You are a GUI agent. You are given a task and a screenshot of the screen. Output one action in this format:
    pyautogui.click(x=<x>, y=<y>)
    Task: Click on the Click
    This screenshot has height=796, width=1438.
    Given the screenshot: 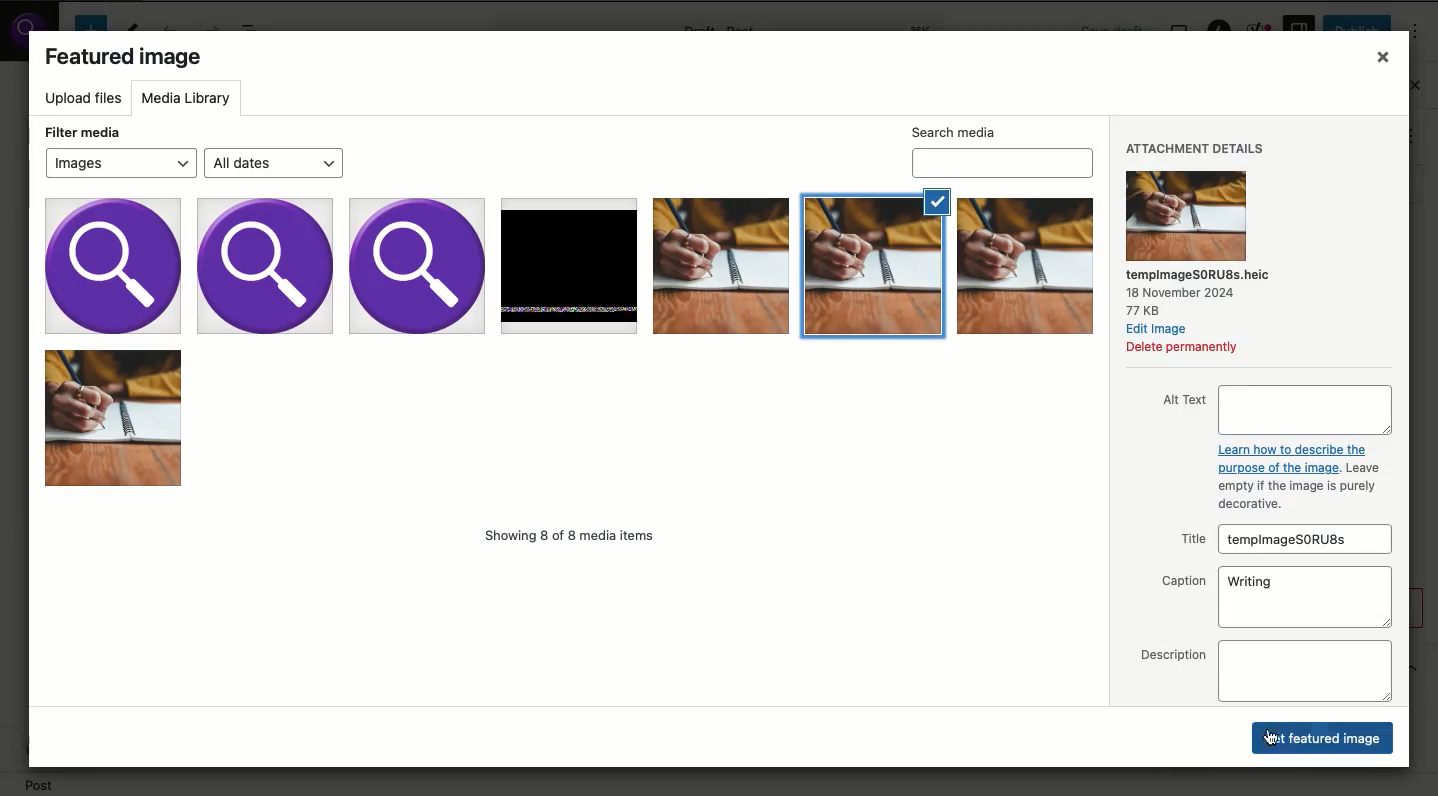 What is the action you would take?
    pyautogui.click(x=1324, y=737)
    